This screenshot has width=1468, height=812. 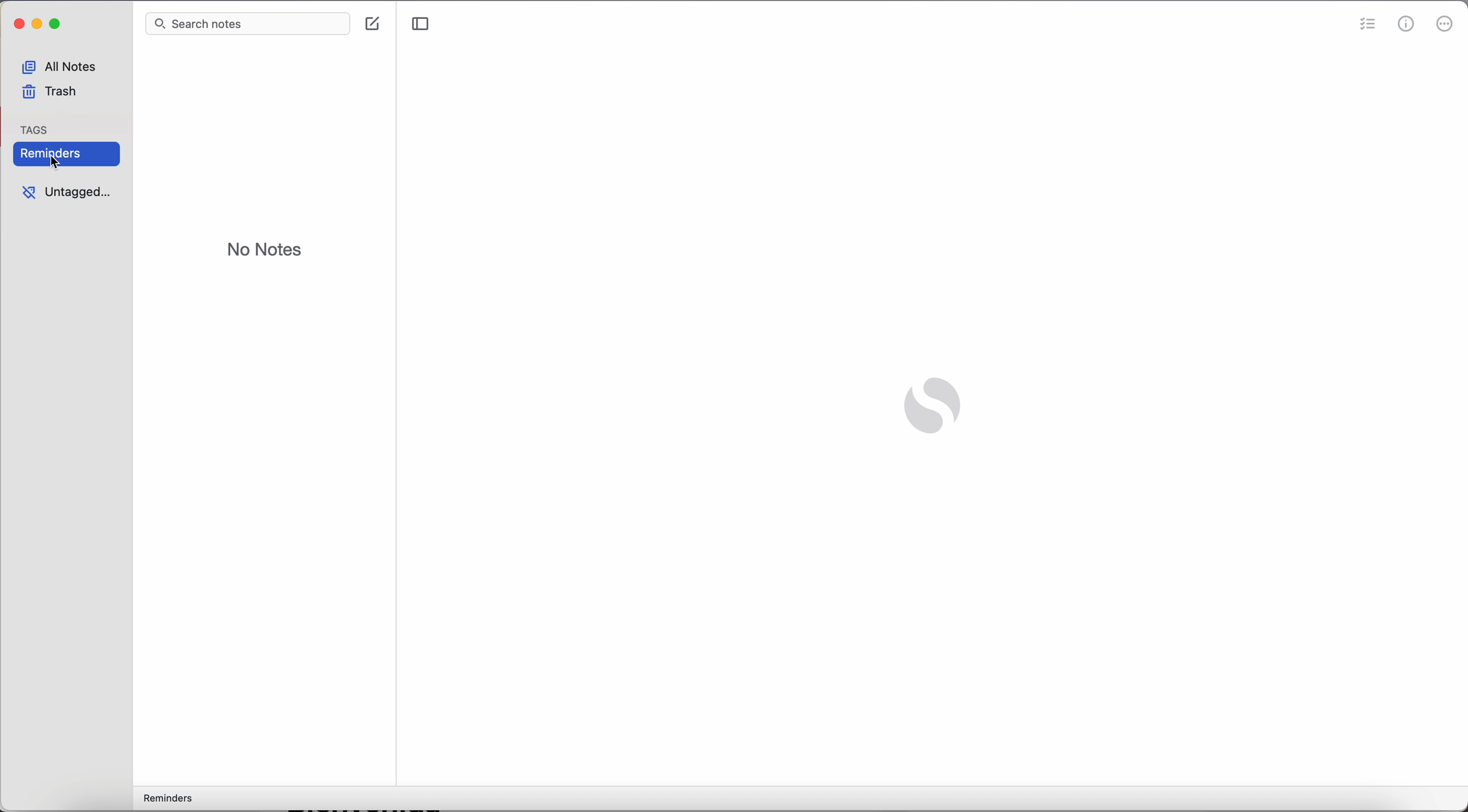 I want to click on tag, so click(x=36, y=126).